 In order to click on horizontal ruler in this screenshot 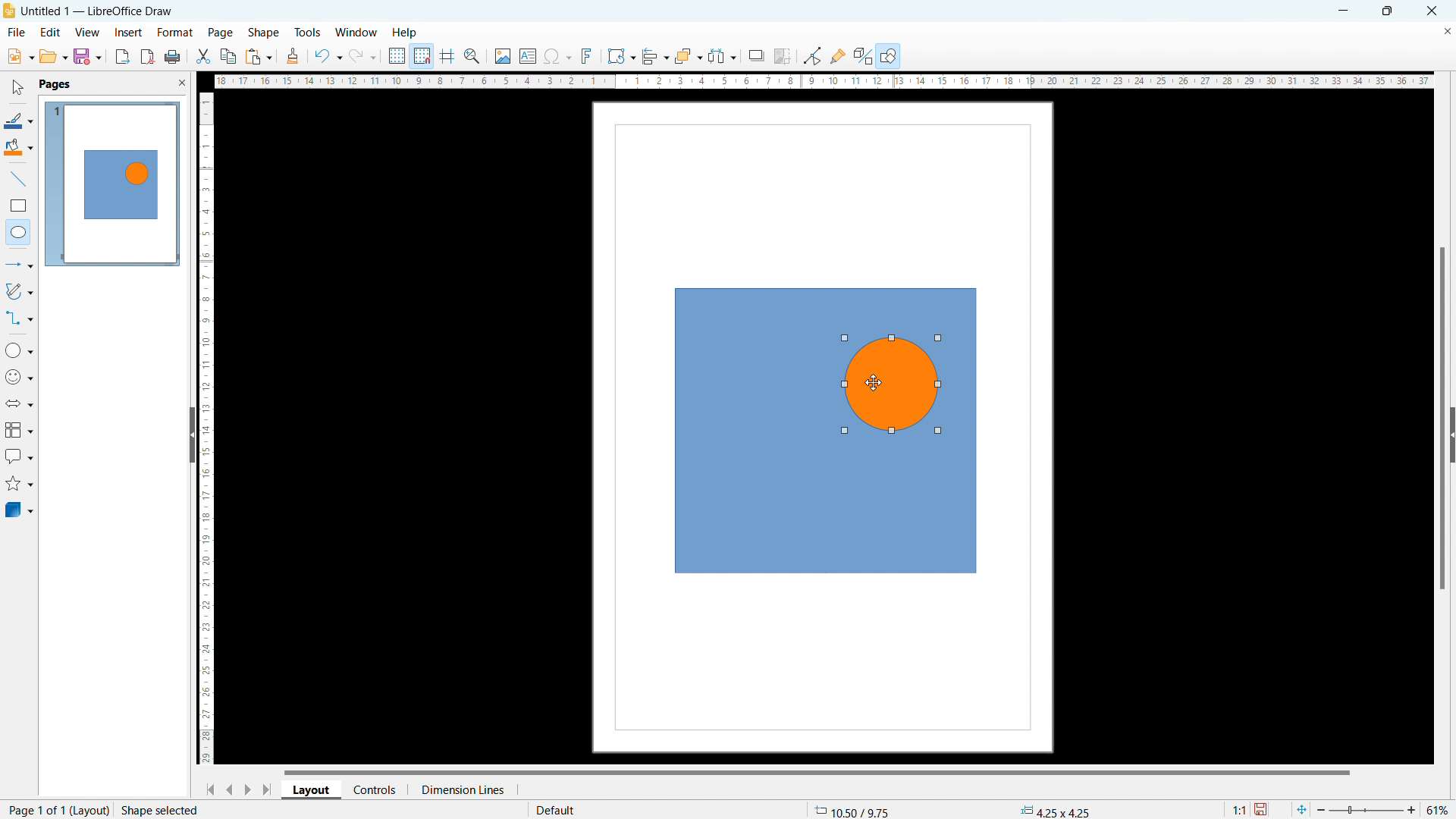, I will do `click(824, 80)`.